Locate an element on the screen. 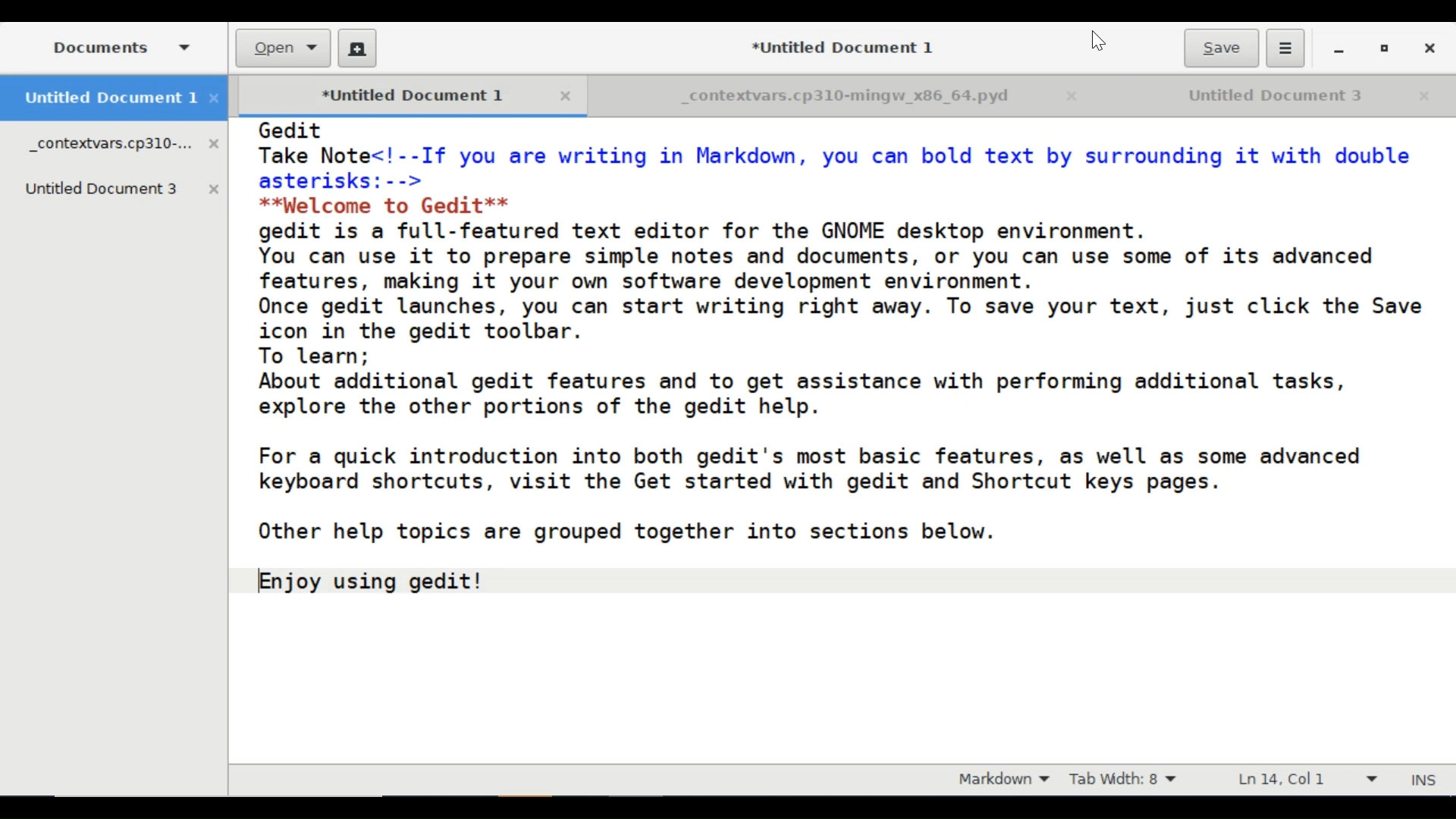  Line & Column Preference  is located at coordinates (1313, 779).